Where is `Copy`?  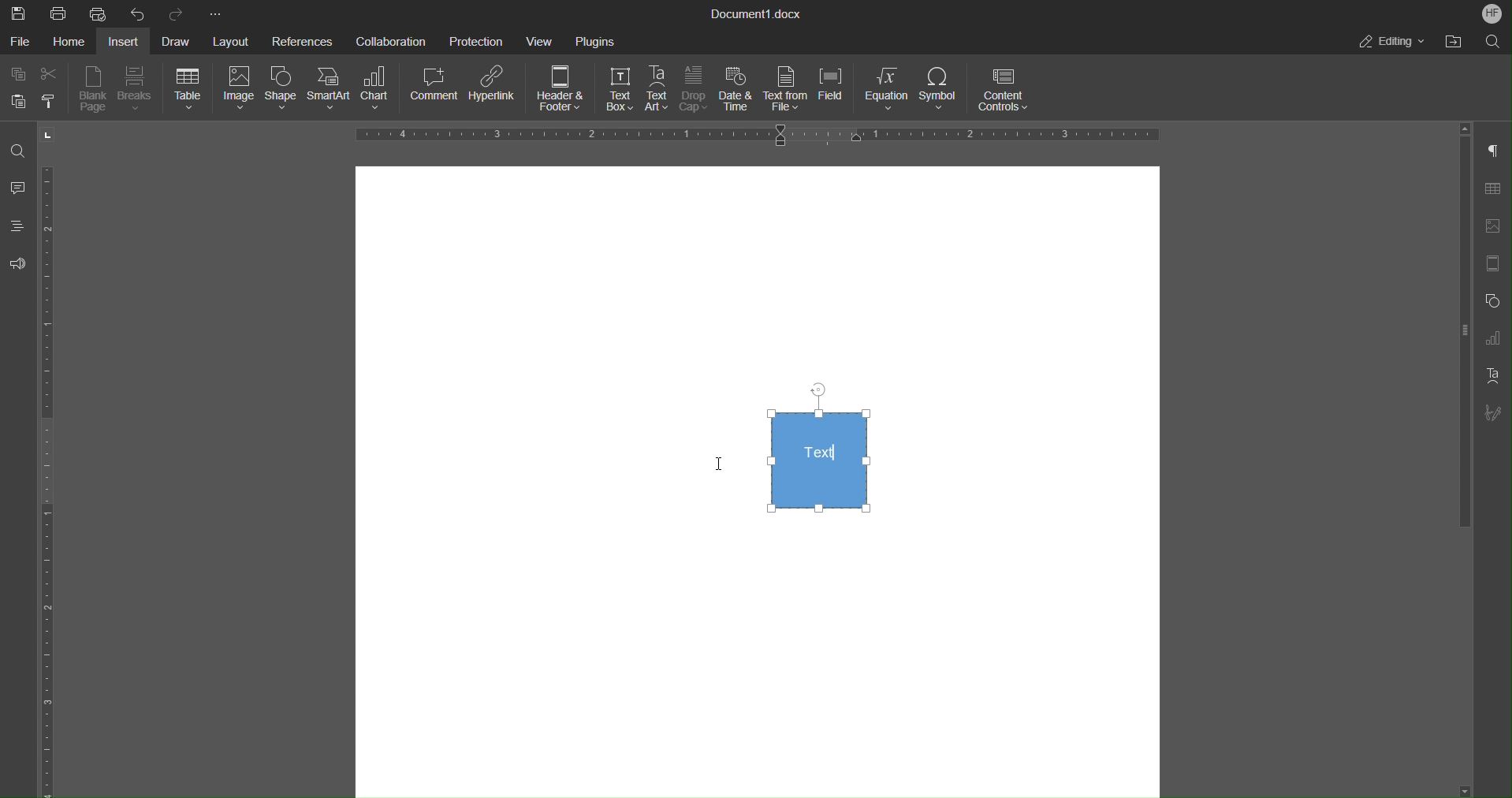 Copy is located at coordinates (17, 73).